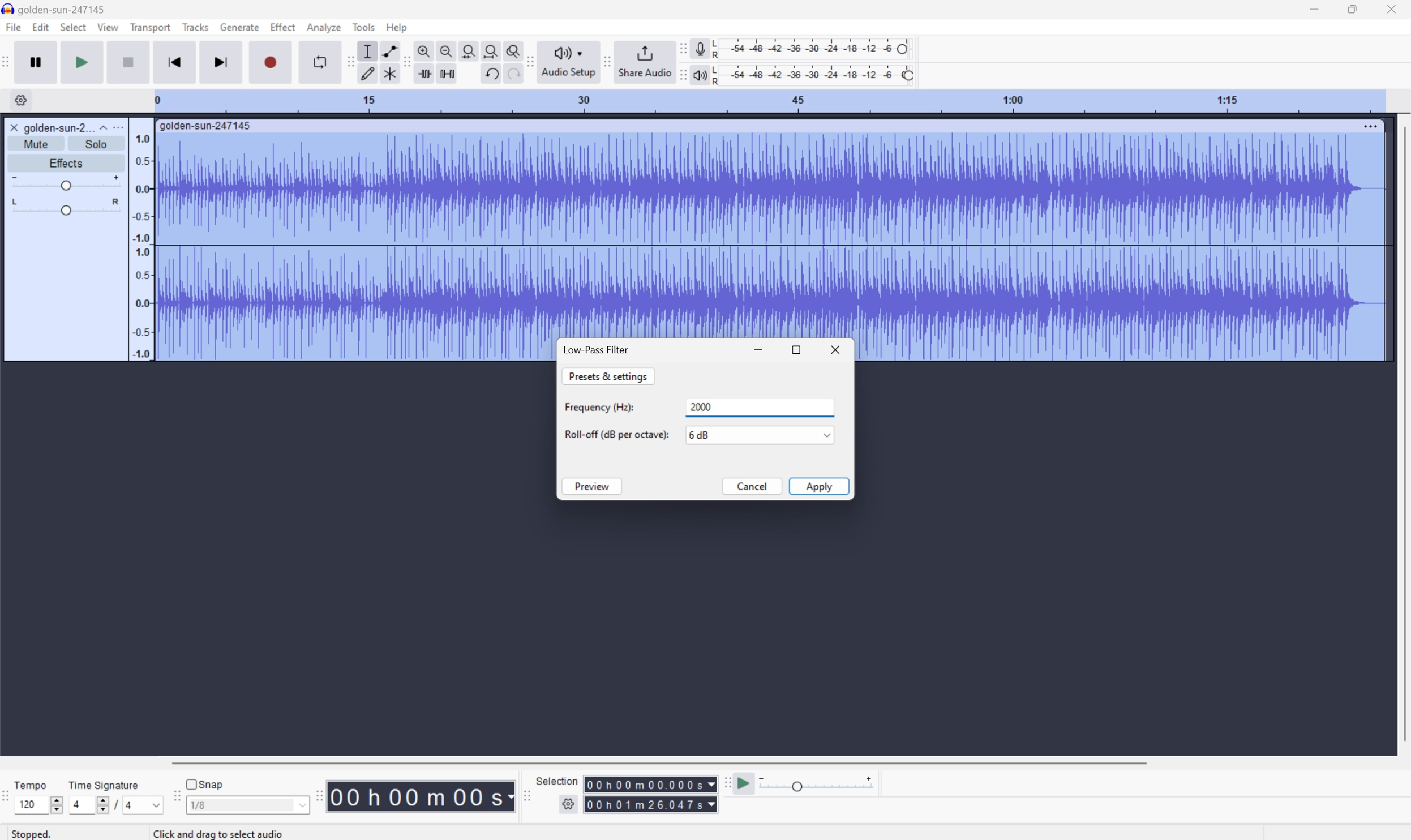  I want to click on Tracks, so click(195, 26).